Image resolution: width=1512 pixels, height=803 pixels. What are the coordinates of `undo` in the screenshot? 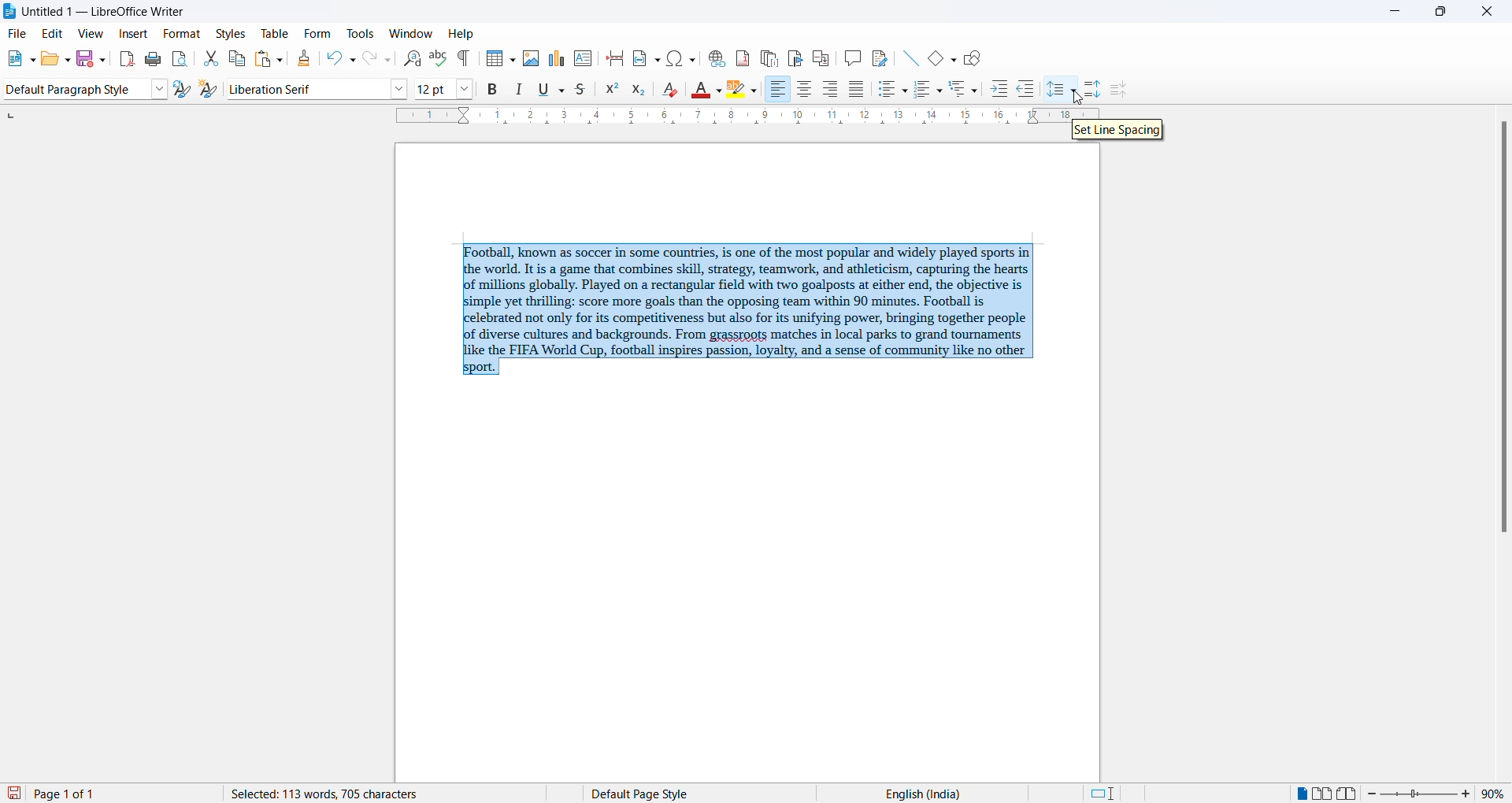 It's located at (341, 58).